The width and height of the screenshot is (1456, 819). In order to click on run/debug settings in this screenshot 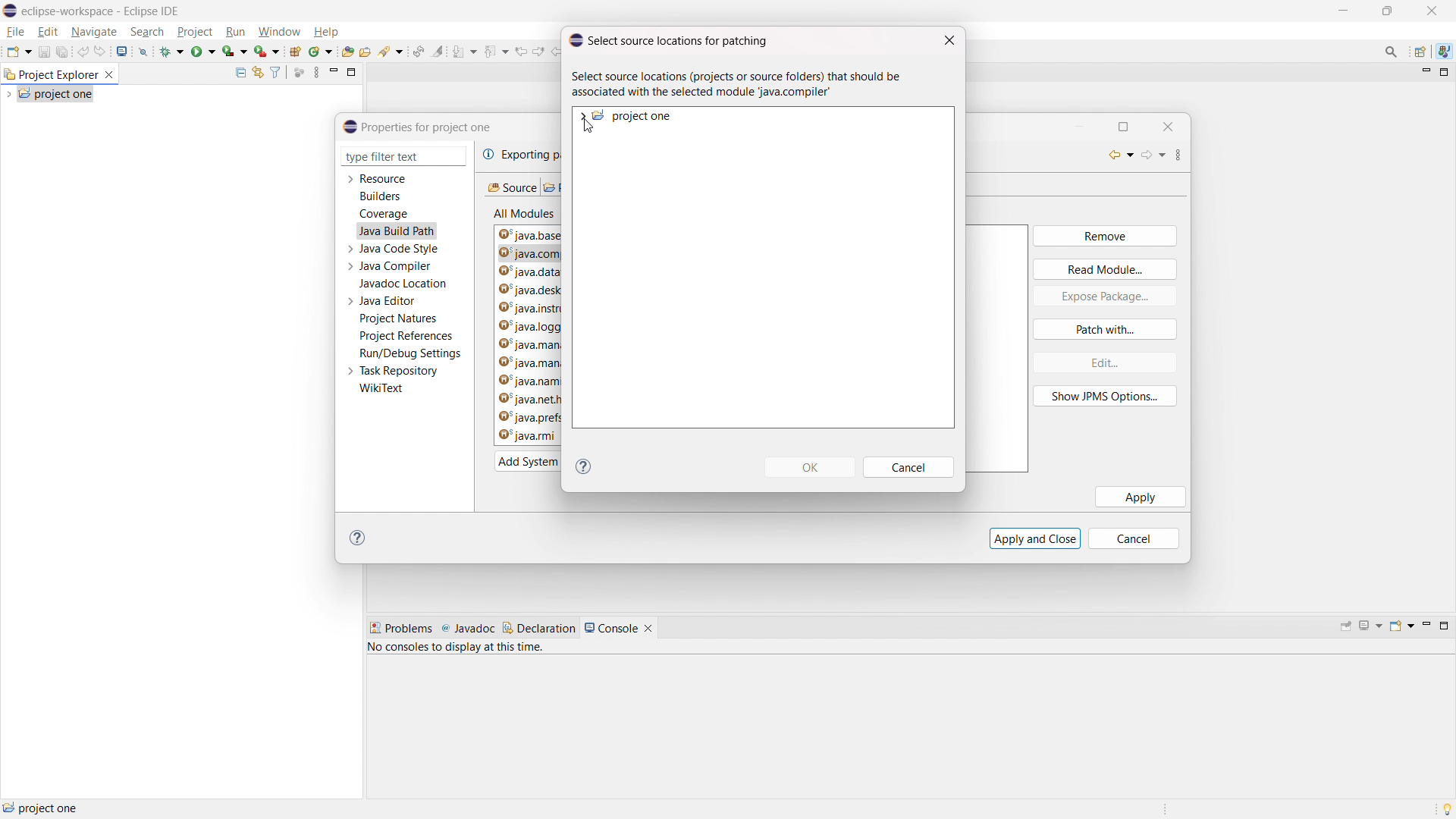, I will do `click(411, 353)`.